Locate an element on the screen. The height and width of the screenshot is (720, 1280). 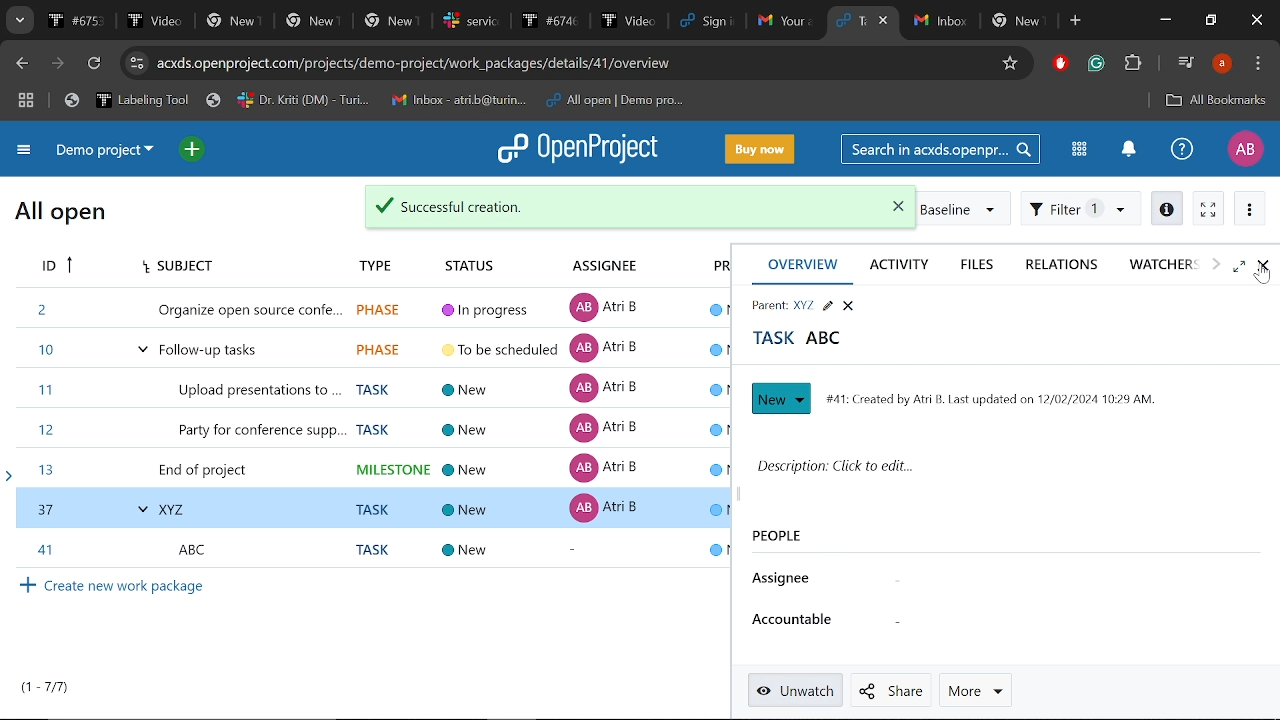
Subject is located at coordinates (174, 267).